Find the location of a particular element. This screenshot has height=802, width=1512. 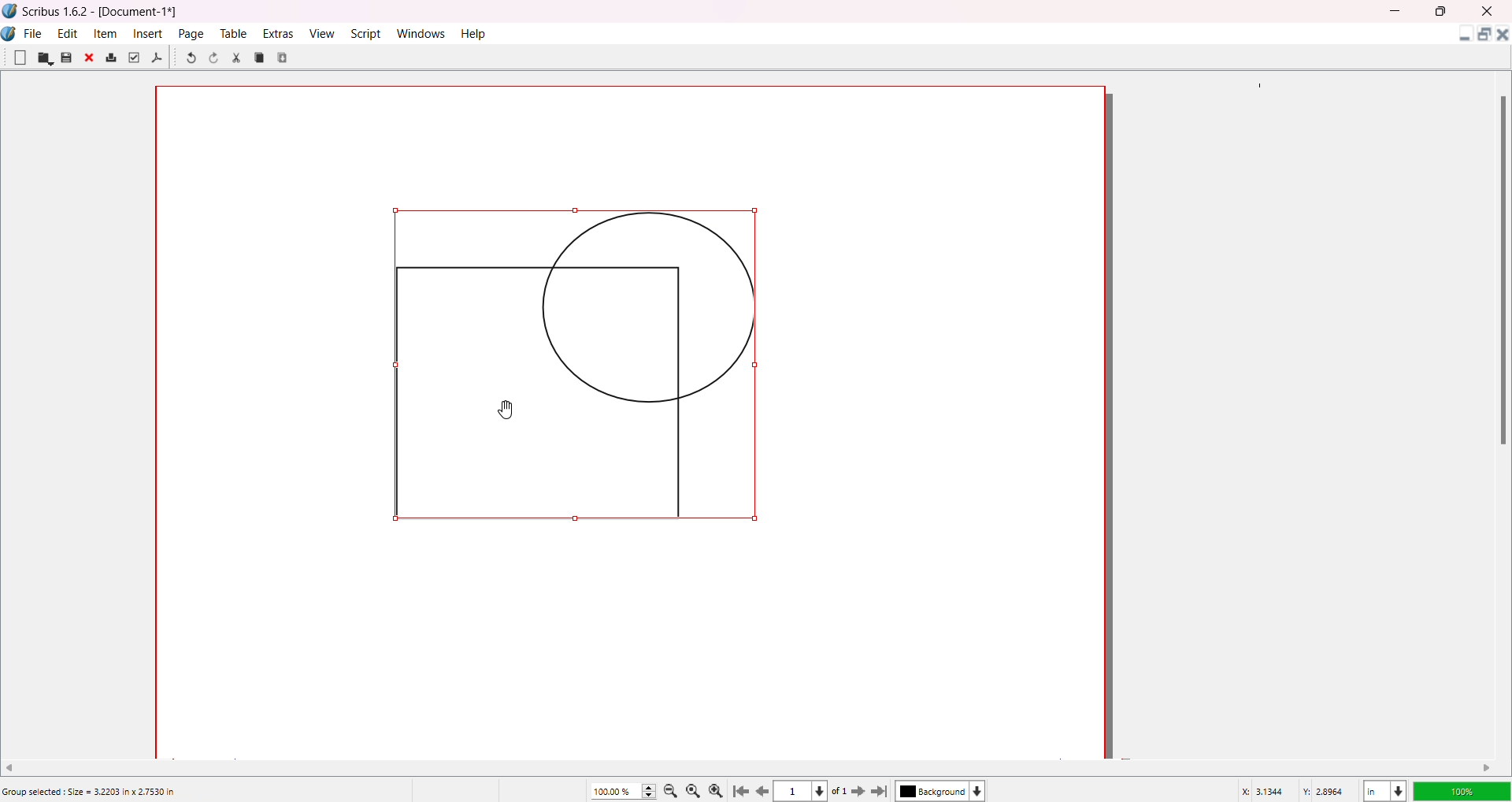

Print is located at coordinates (111, 58).